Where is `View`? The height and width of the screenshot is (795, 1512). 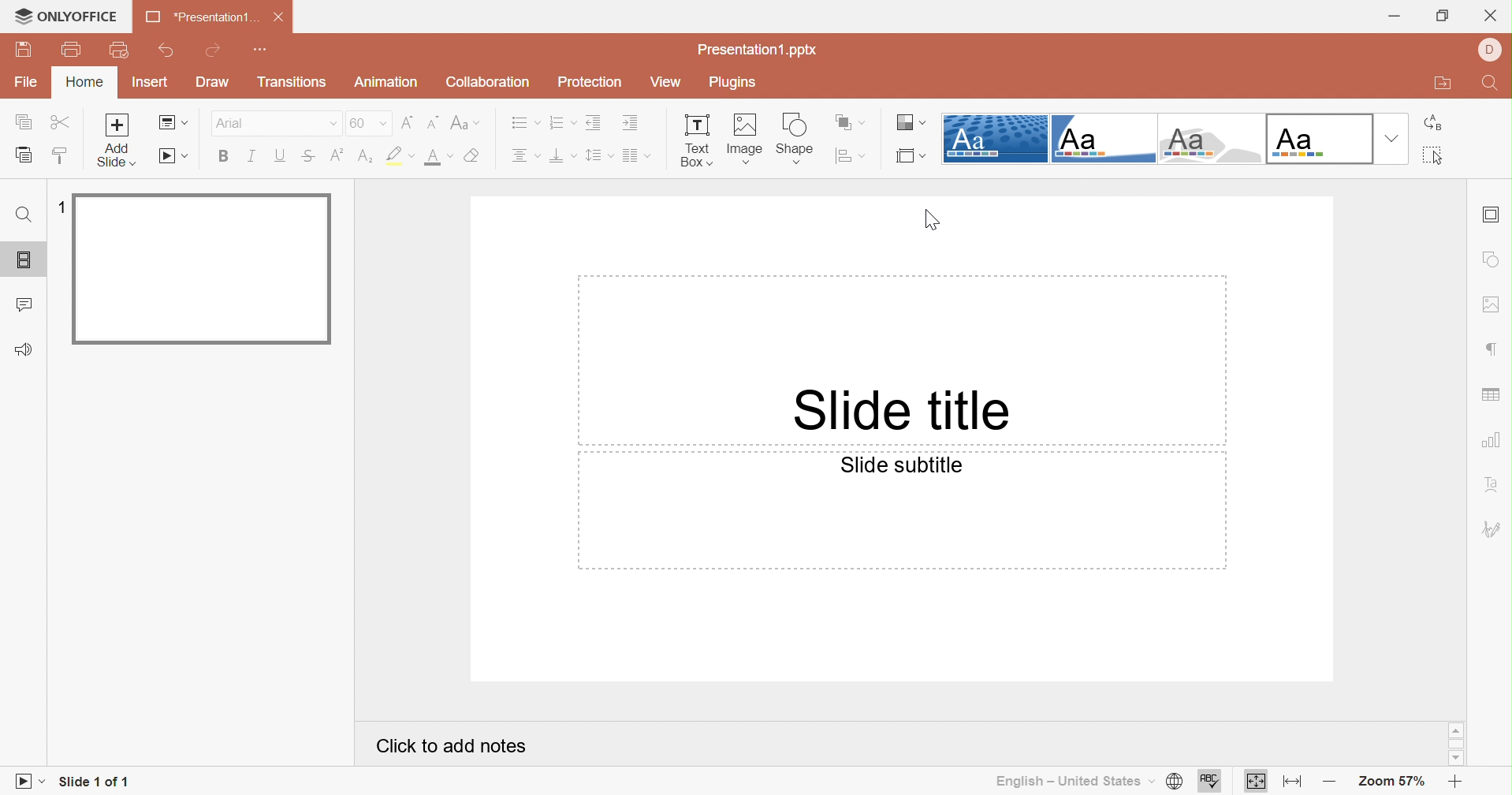 View is located at coordinates (664, 80).